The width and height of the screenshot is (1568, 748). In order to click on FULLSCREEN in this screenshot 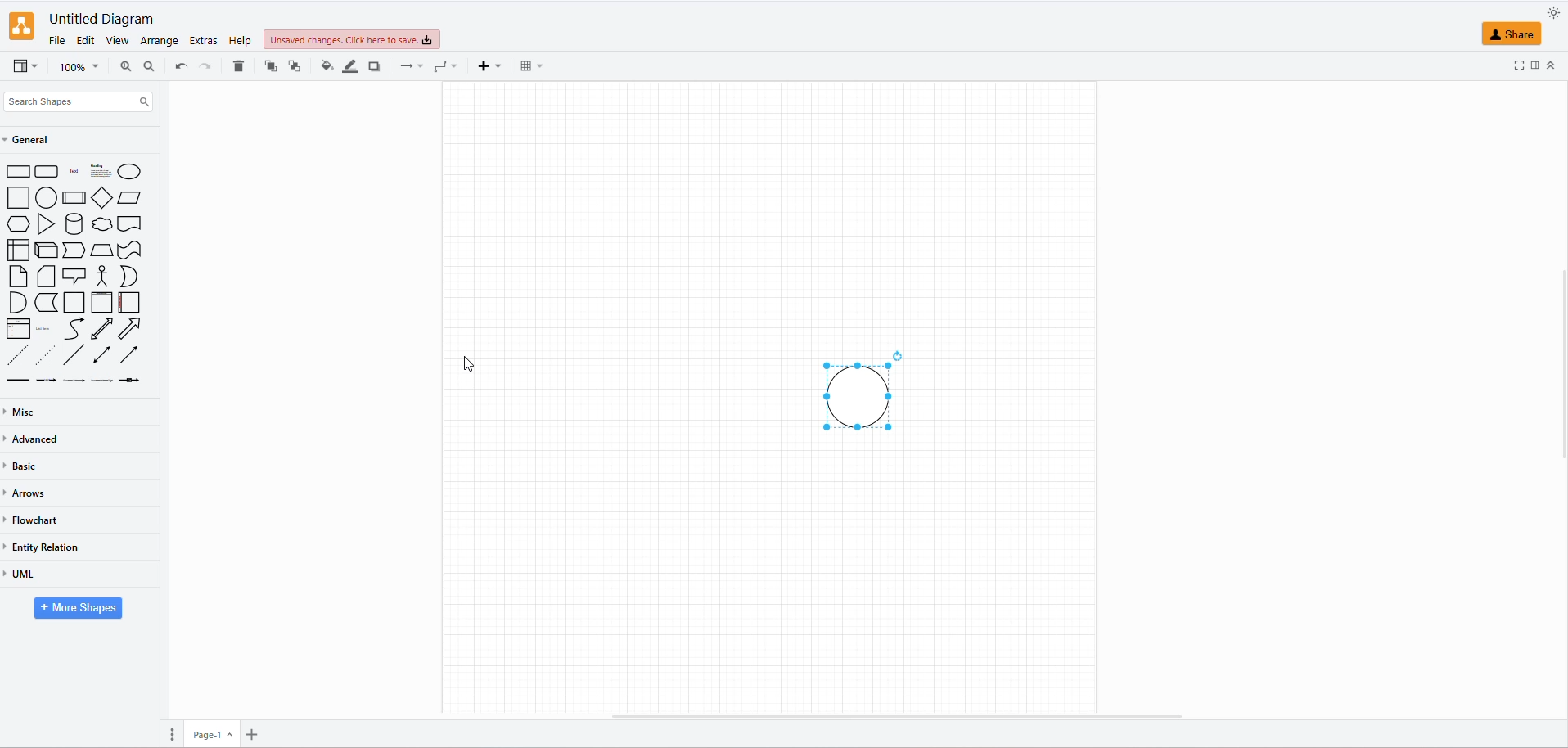, I will do `click(1518, 65)`.